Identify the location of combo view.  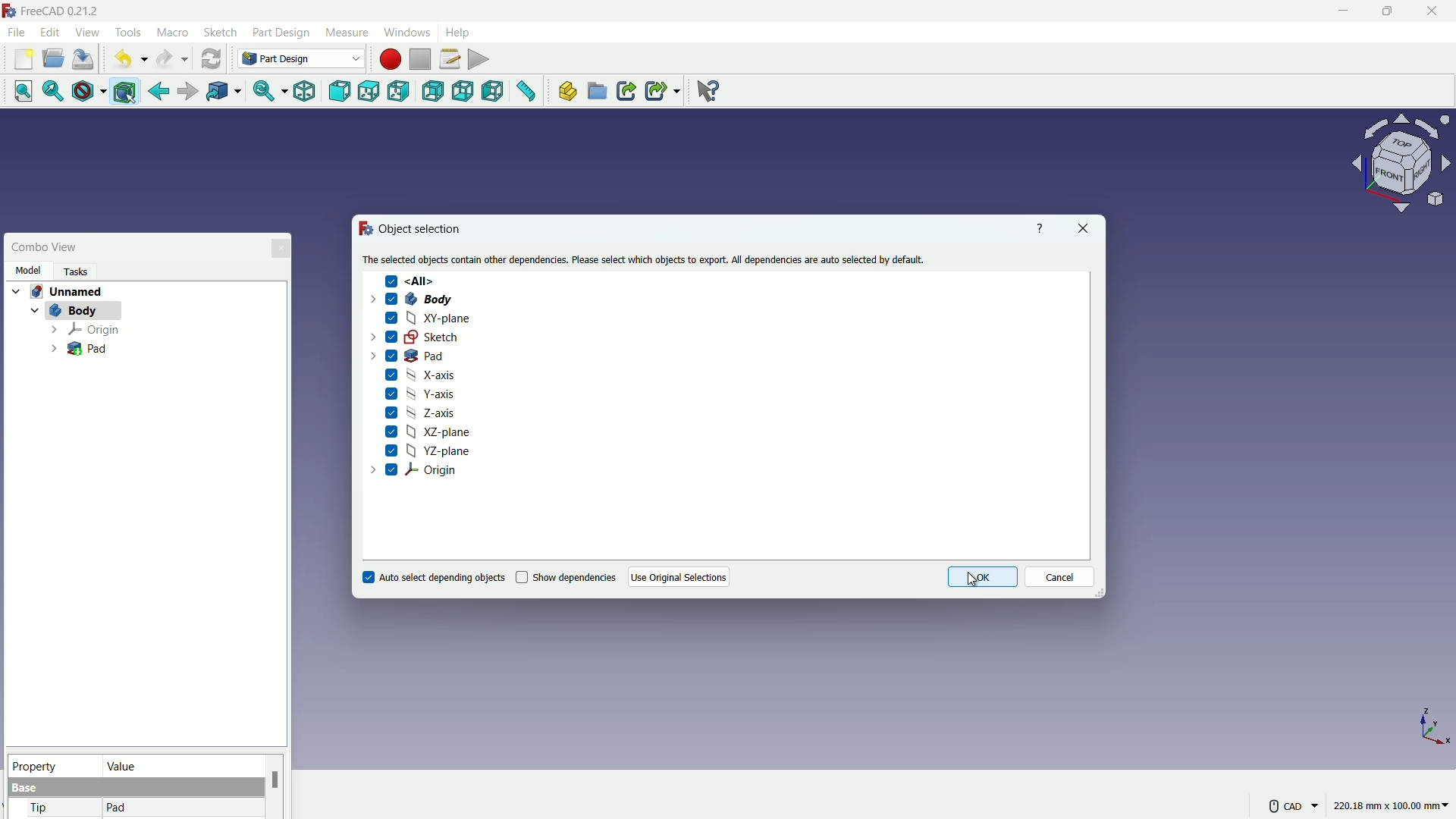
(45, 247).